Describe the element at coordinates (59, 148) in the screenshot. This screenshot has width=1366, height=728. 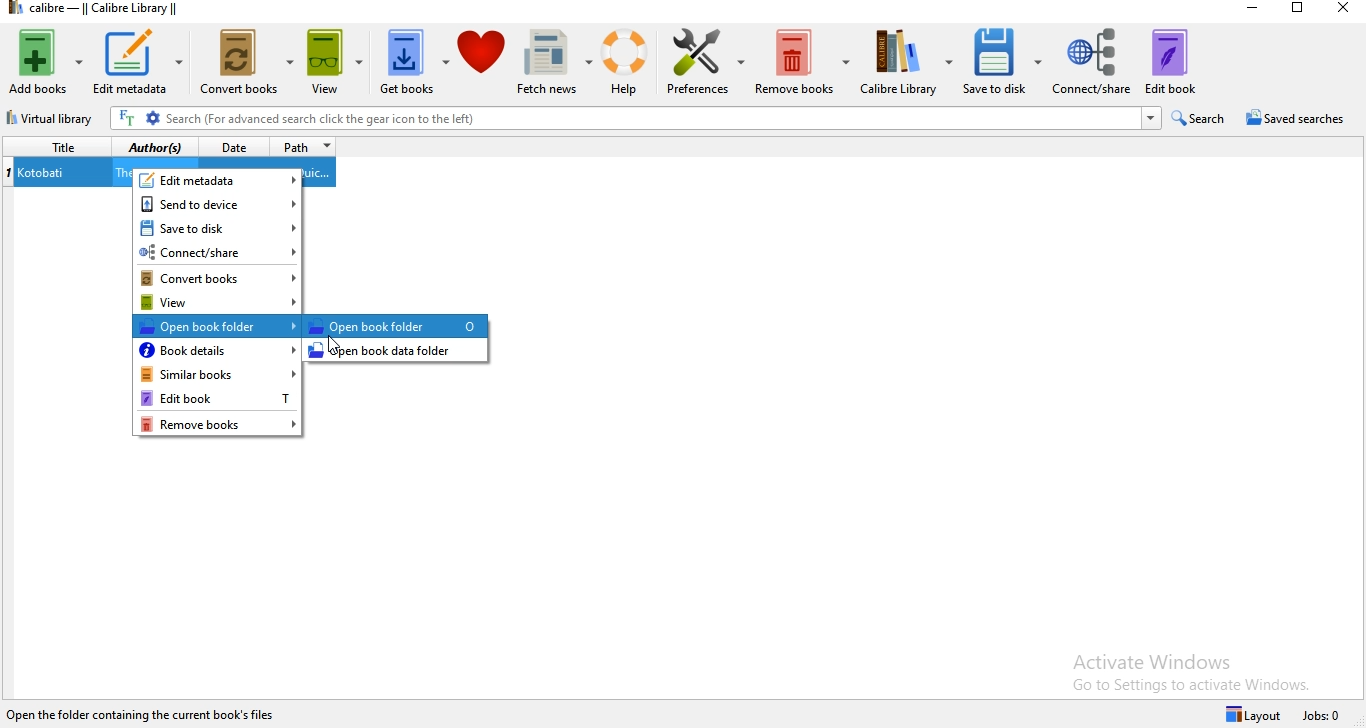
I see `title` at that location.